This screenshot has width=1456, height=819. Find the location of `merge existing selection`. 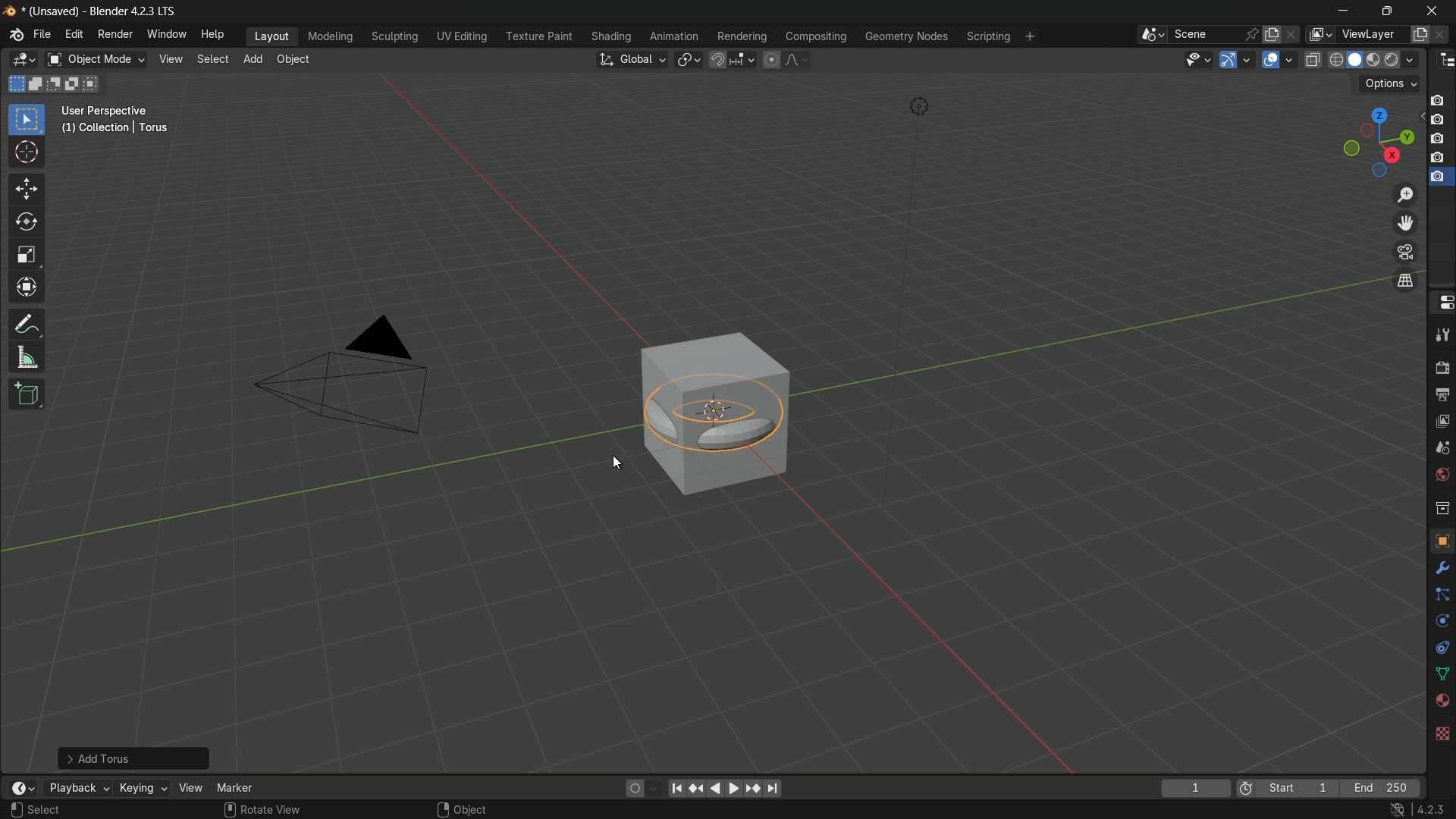

merge existing selection is located at coordinates (94, 84).